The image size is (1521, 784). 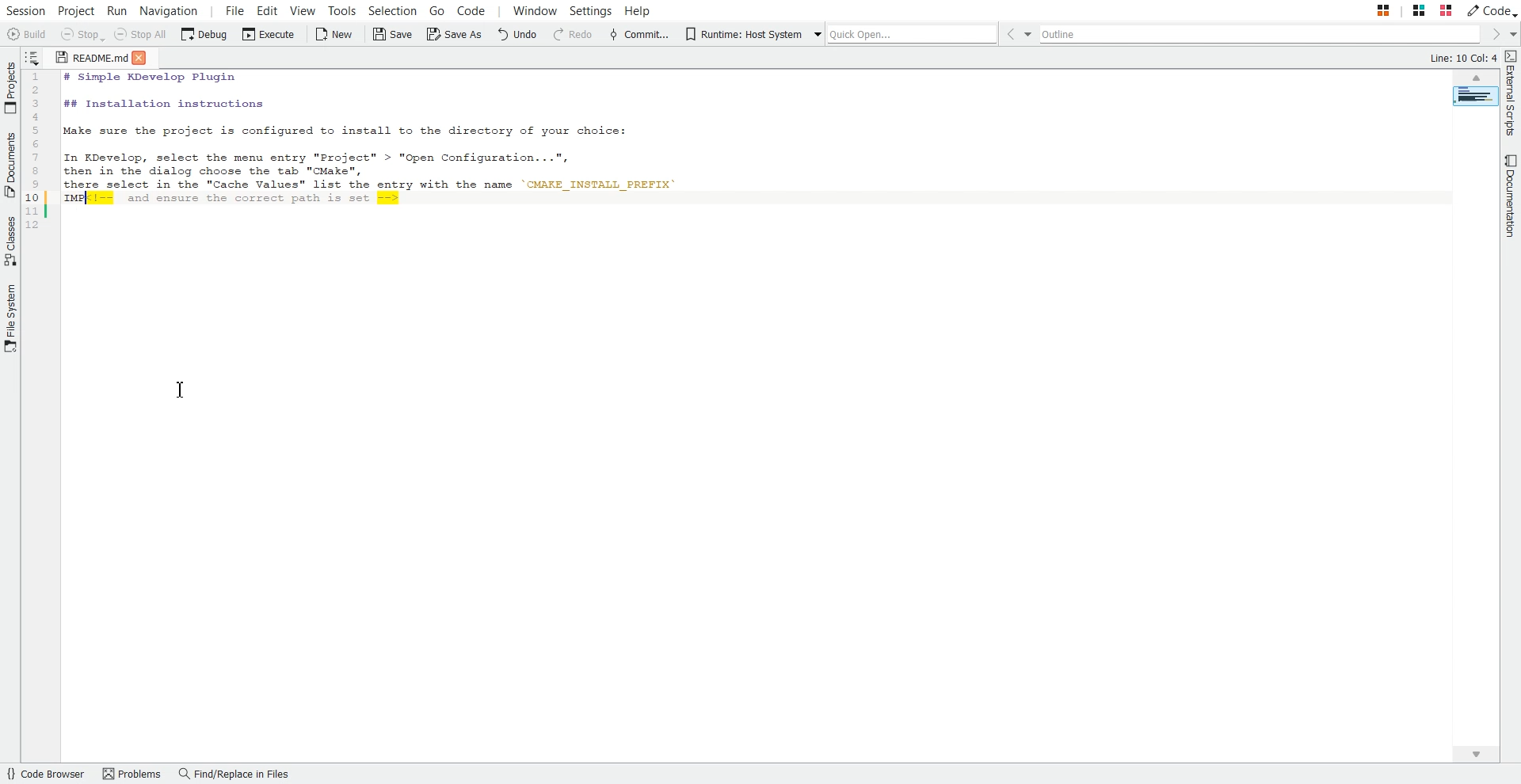 What do you see at coordinates (82, 35) in the screenshot?
I see `Stop` at bounding box center [82, 35].